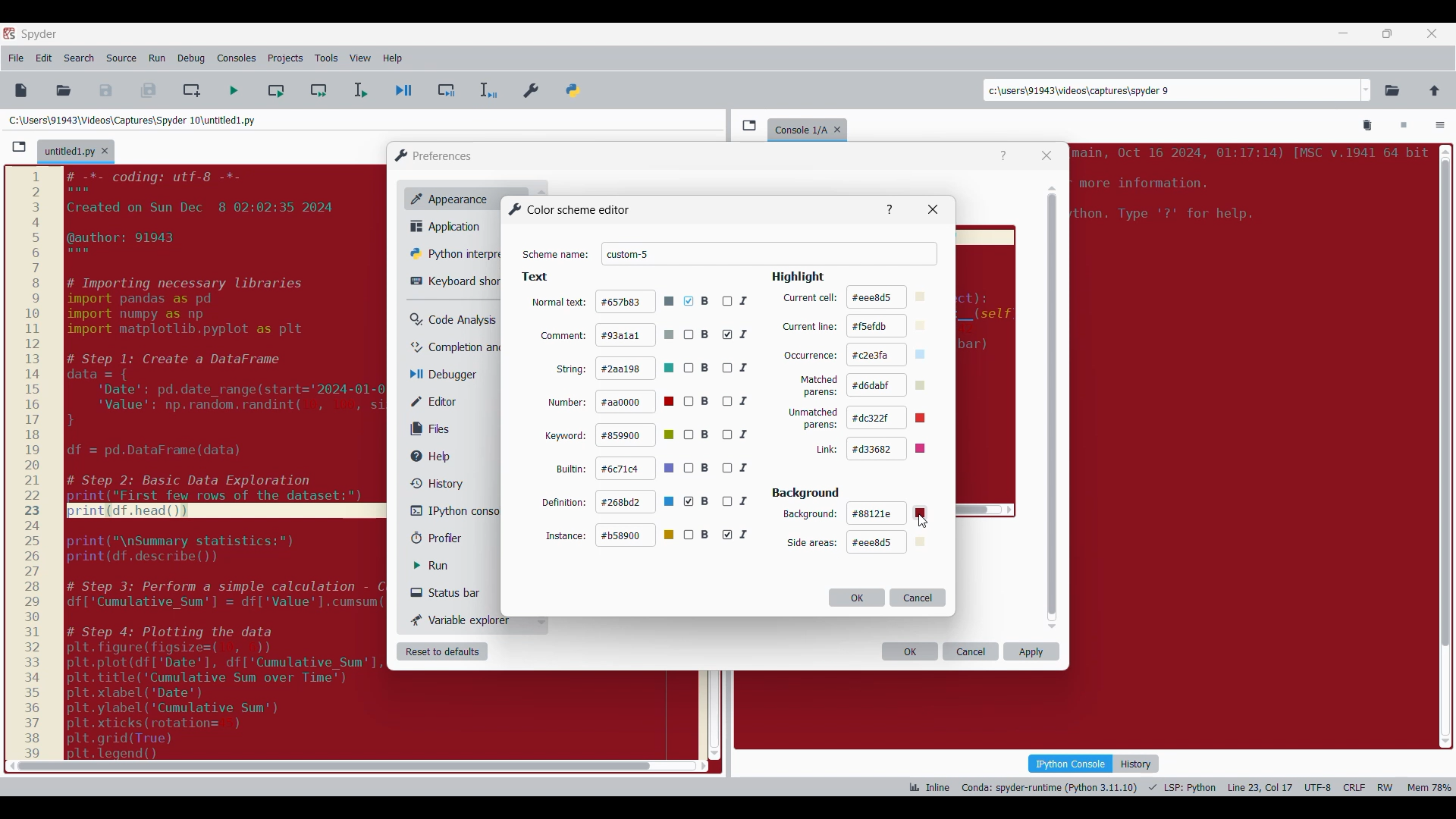  I want to click on B, so click(698, 402).